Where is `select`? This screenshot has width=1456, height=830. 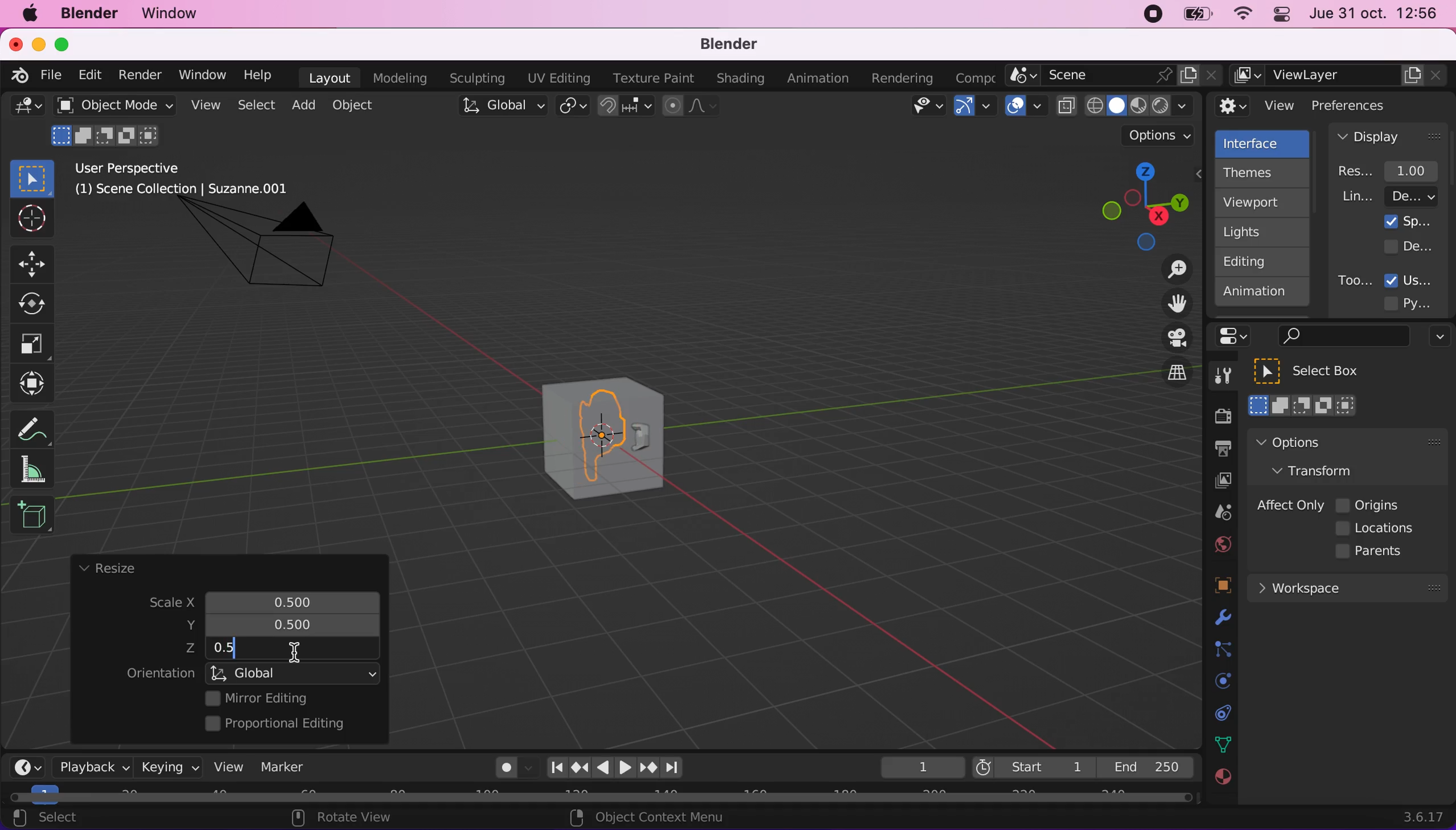
select is located at coordinates (255, 106).